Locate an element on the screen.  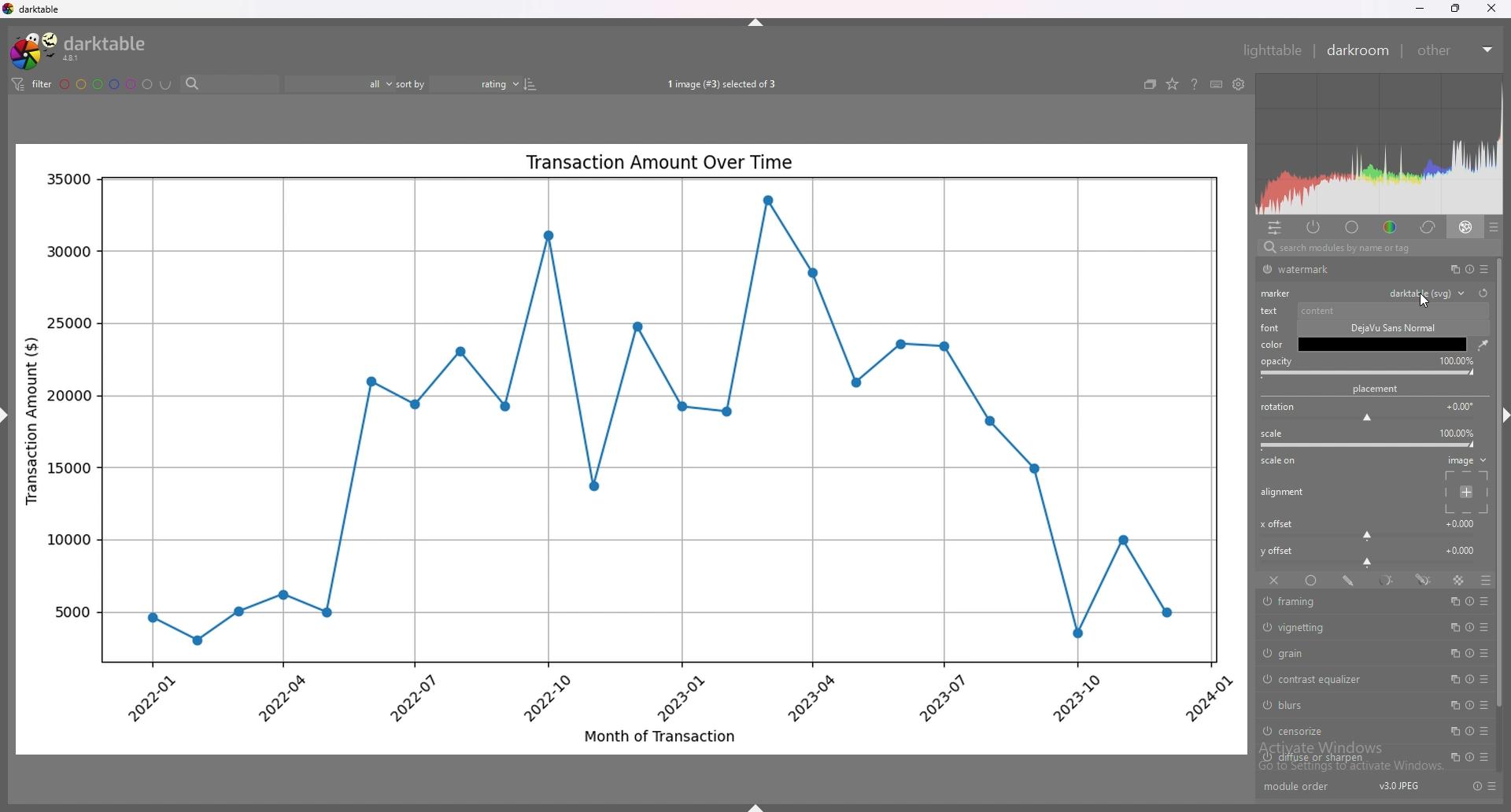
roation is located at coordinates (1277, 408).